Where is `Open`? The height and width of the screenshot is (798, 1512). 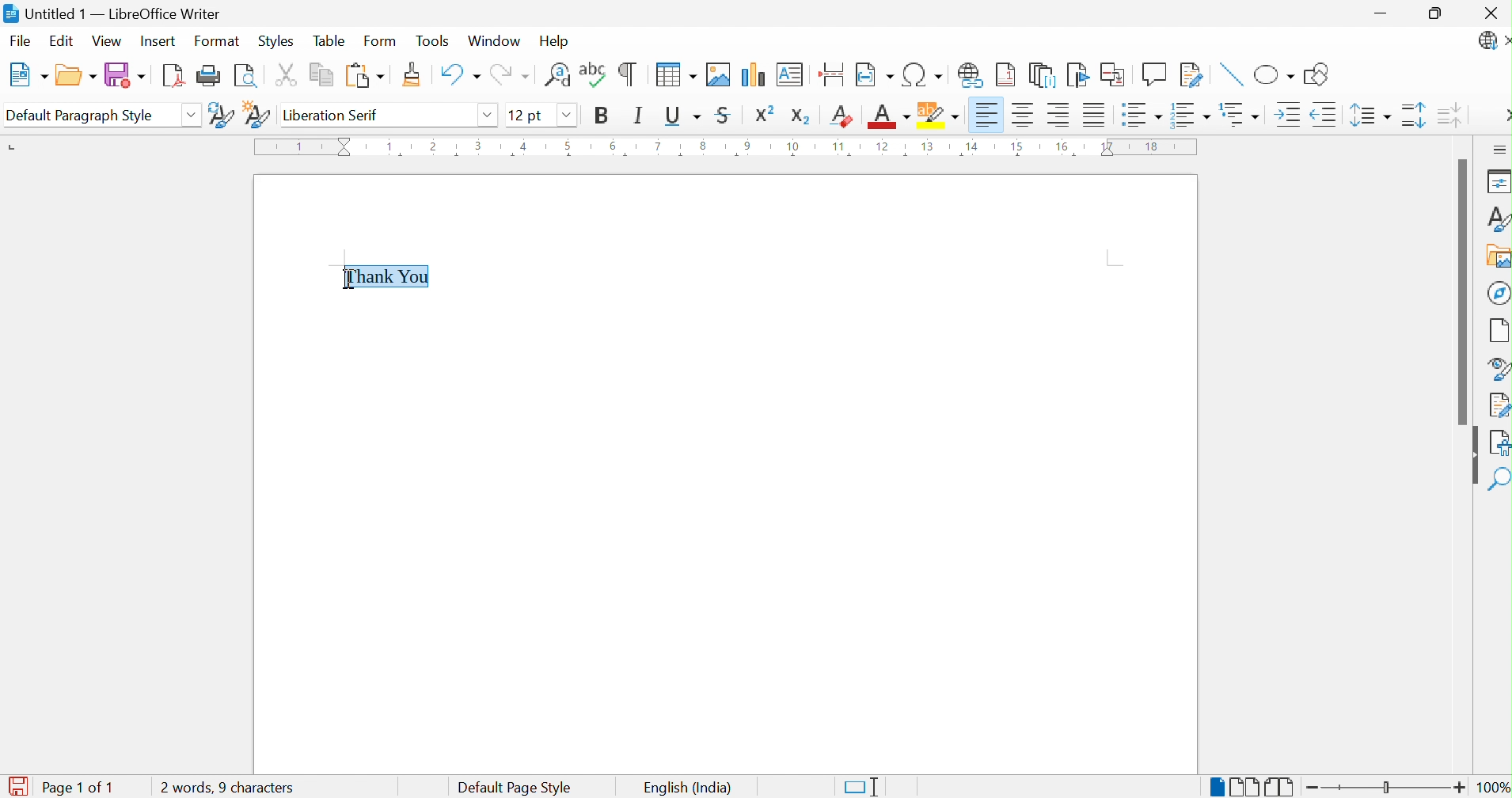 Open is located at coordinates (77, 74).